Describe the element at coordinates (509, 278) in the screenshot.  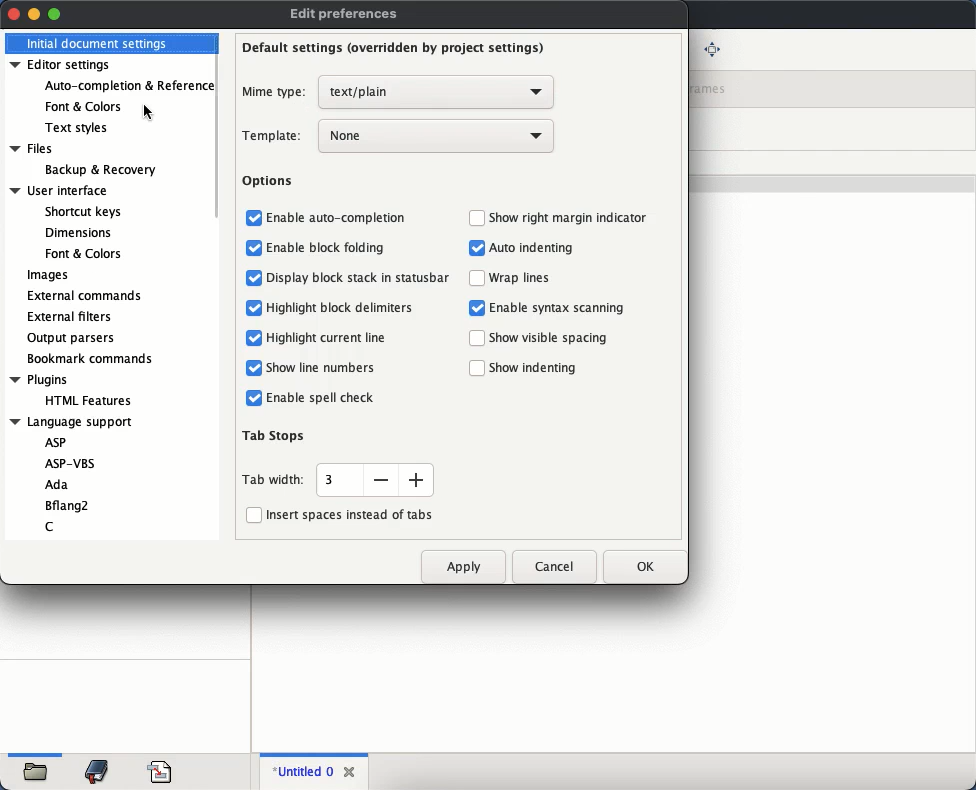
I see `warp lines` at that location.